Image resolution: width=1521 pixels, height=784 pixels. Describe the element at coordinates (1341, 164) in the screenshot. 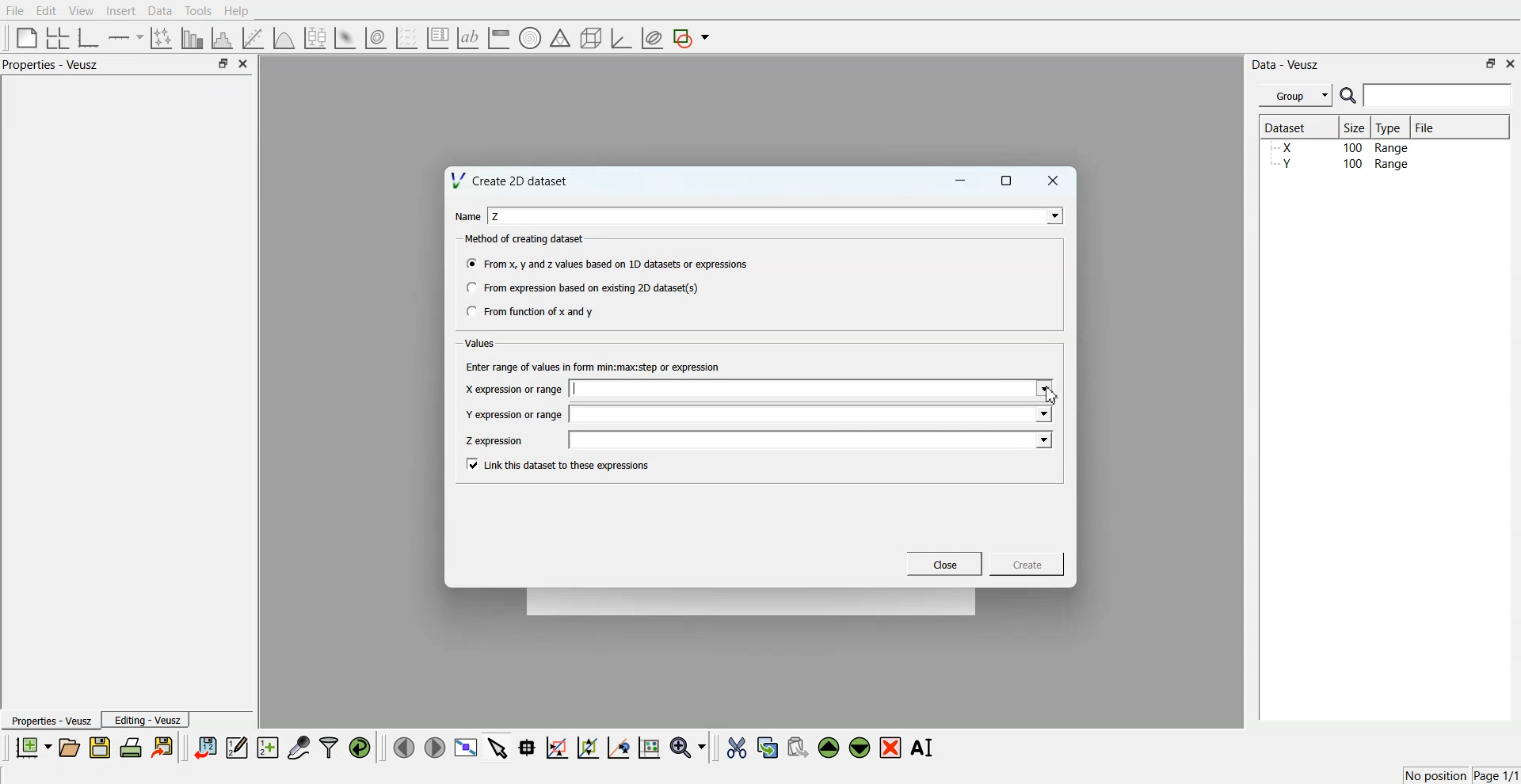

I see `Y 100 Range` at that location.